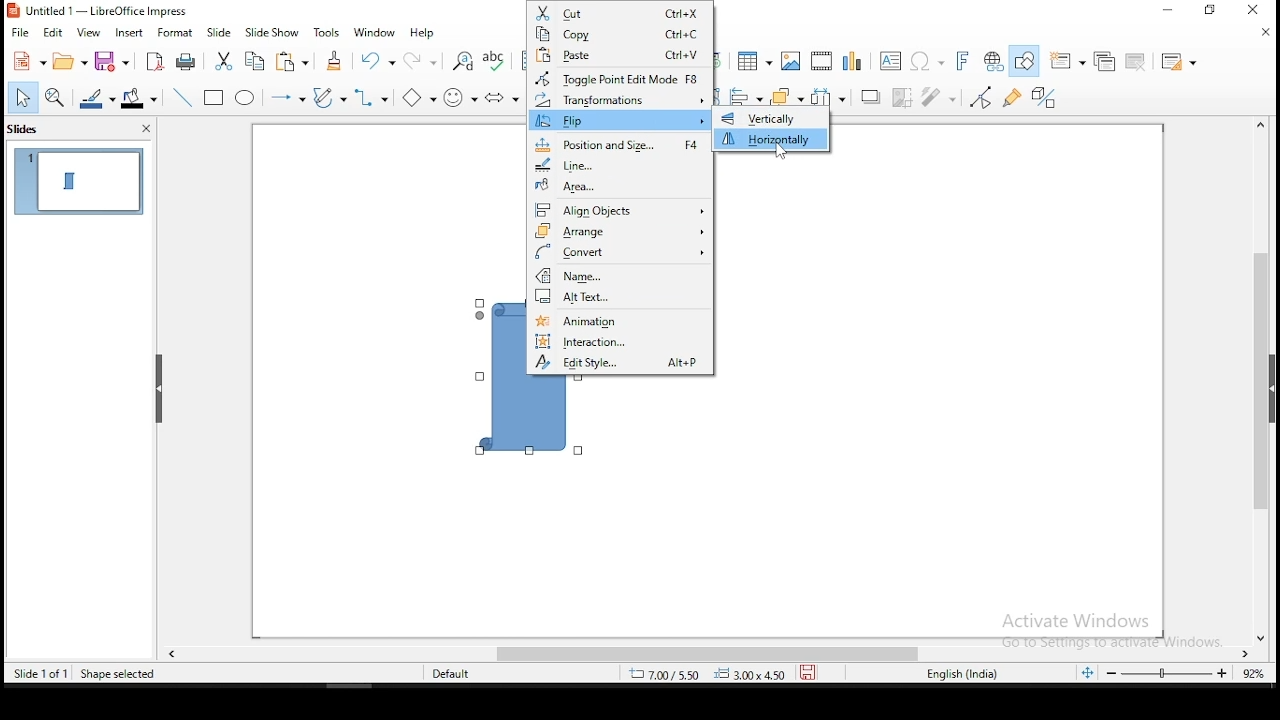 The width and height of the screenshot is (1280, 720). What do you see at coordinates (28, 61) in the screenshot?
I see `new` at bounding box center [28, 61].